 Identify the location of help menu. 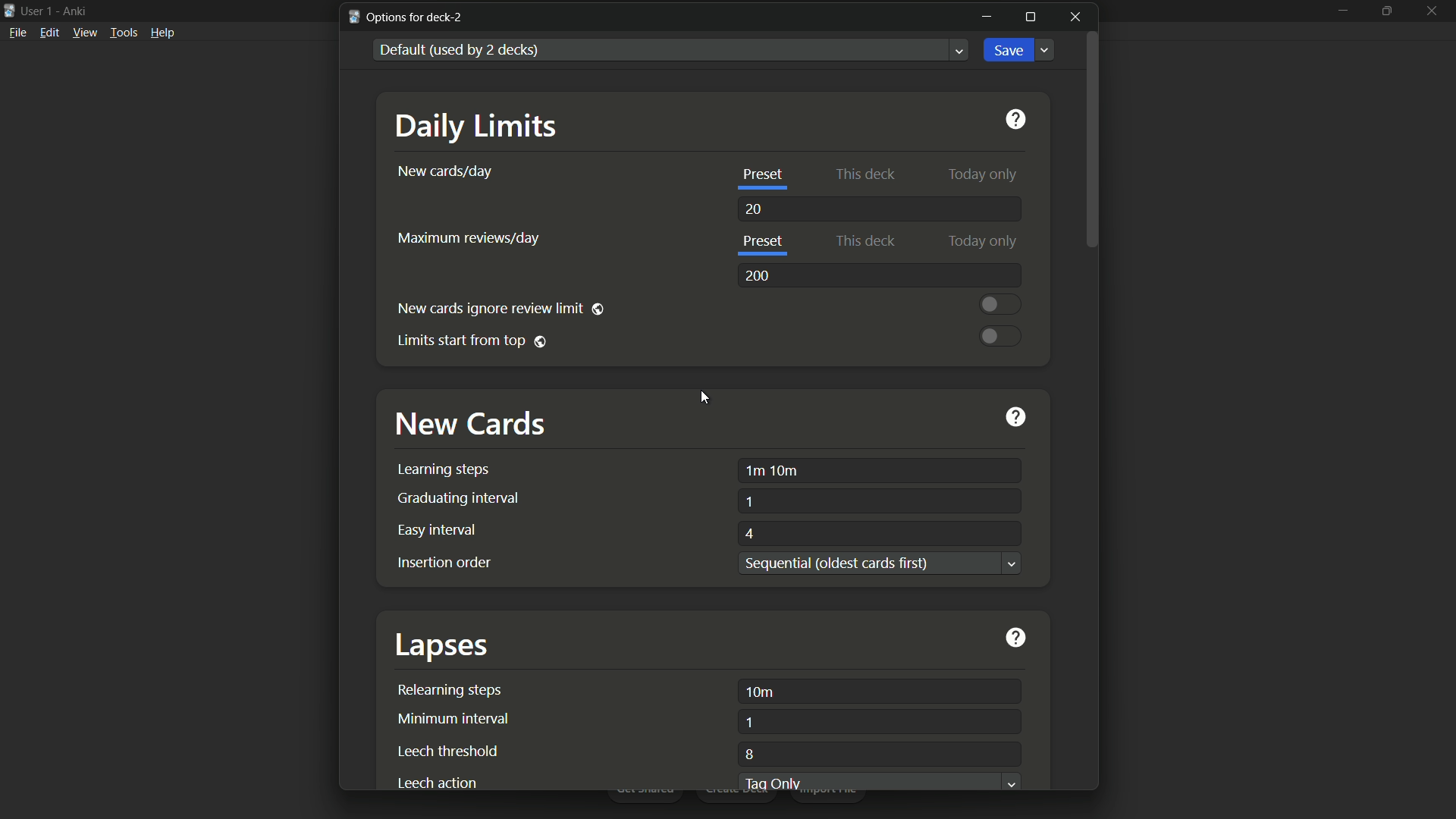
(164, 33).